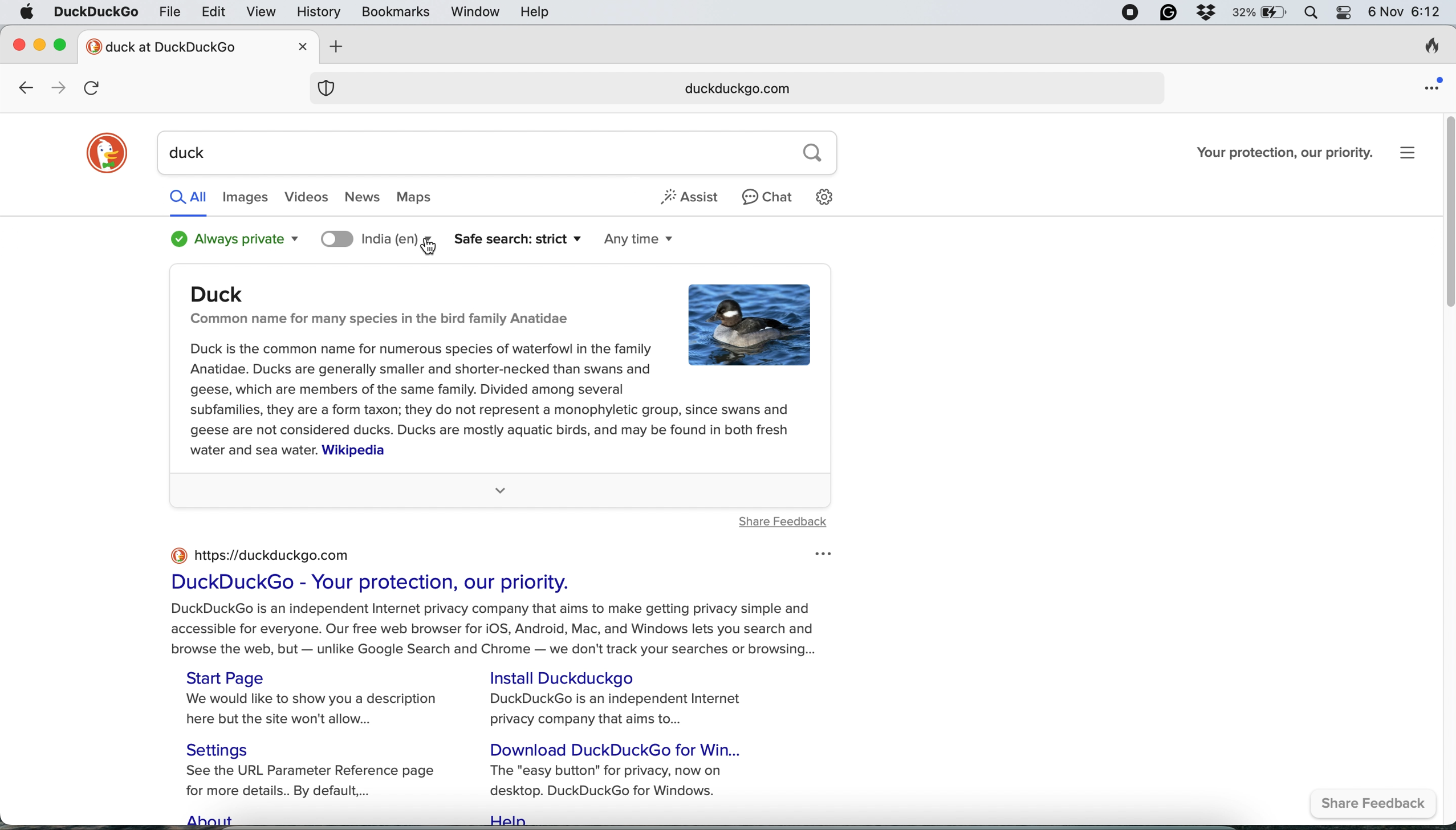 This screenshot has width=1456, height=830. I want to click on subfamilies, they are a form taxon; they do not represent a monophyletic group, since swans and
geese are not considered ducks. Ducks are mostly aquatic birds, and may be found in both fresh, so click(495, 419).